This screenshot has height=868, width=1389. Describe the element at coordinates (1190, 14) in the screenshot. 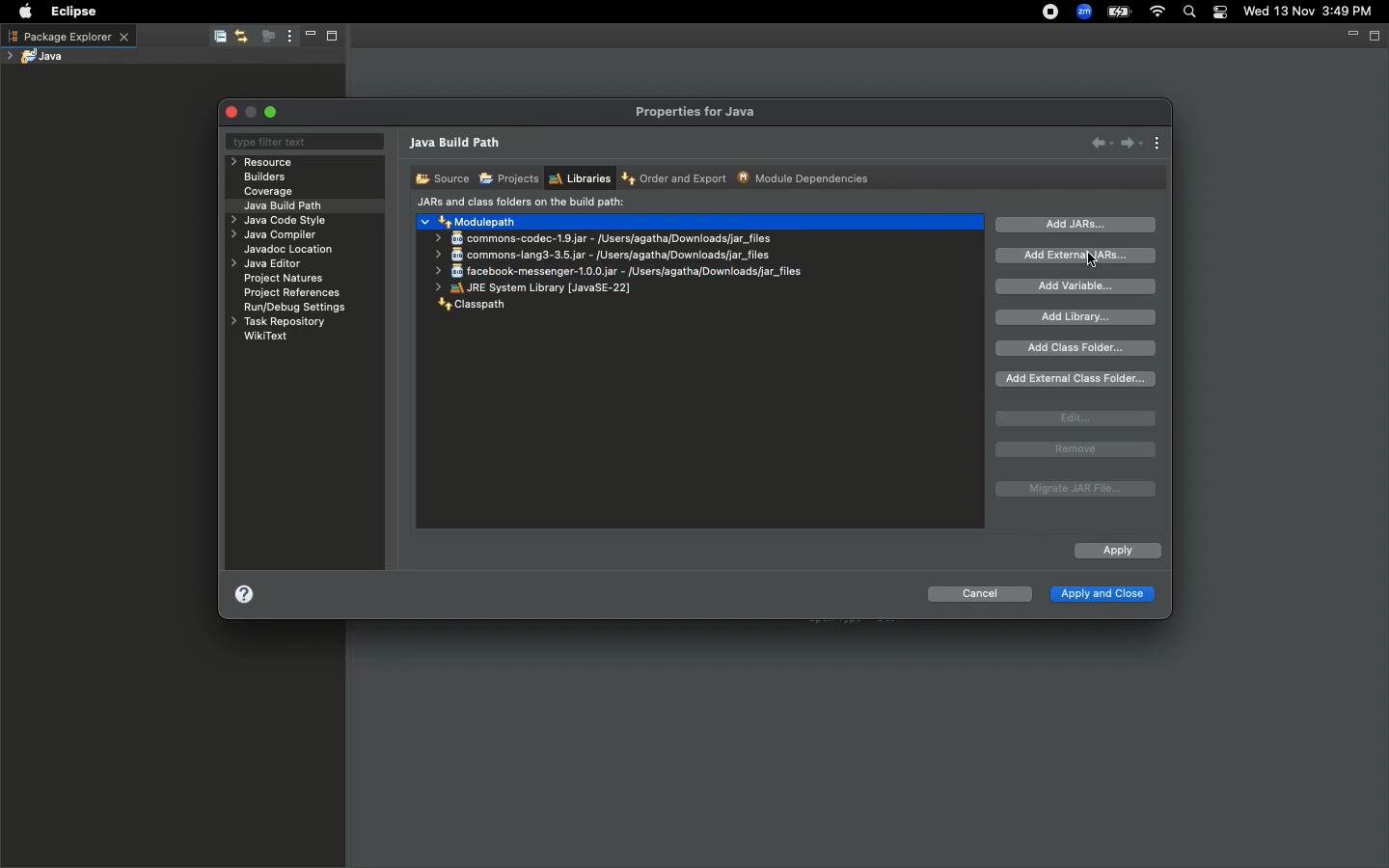

I see `Search` at that location.